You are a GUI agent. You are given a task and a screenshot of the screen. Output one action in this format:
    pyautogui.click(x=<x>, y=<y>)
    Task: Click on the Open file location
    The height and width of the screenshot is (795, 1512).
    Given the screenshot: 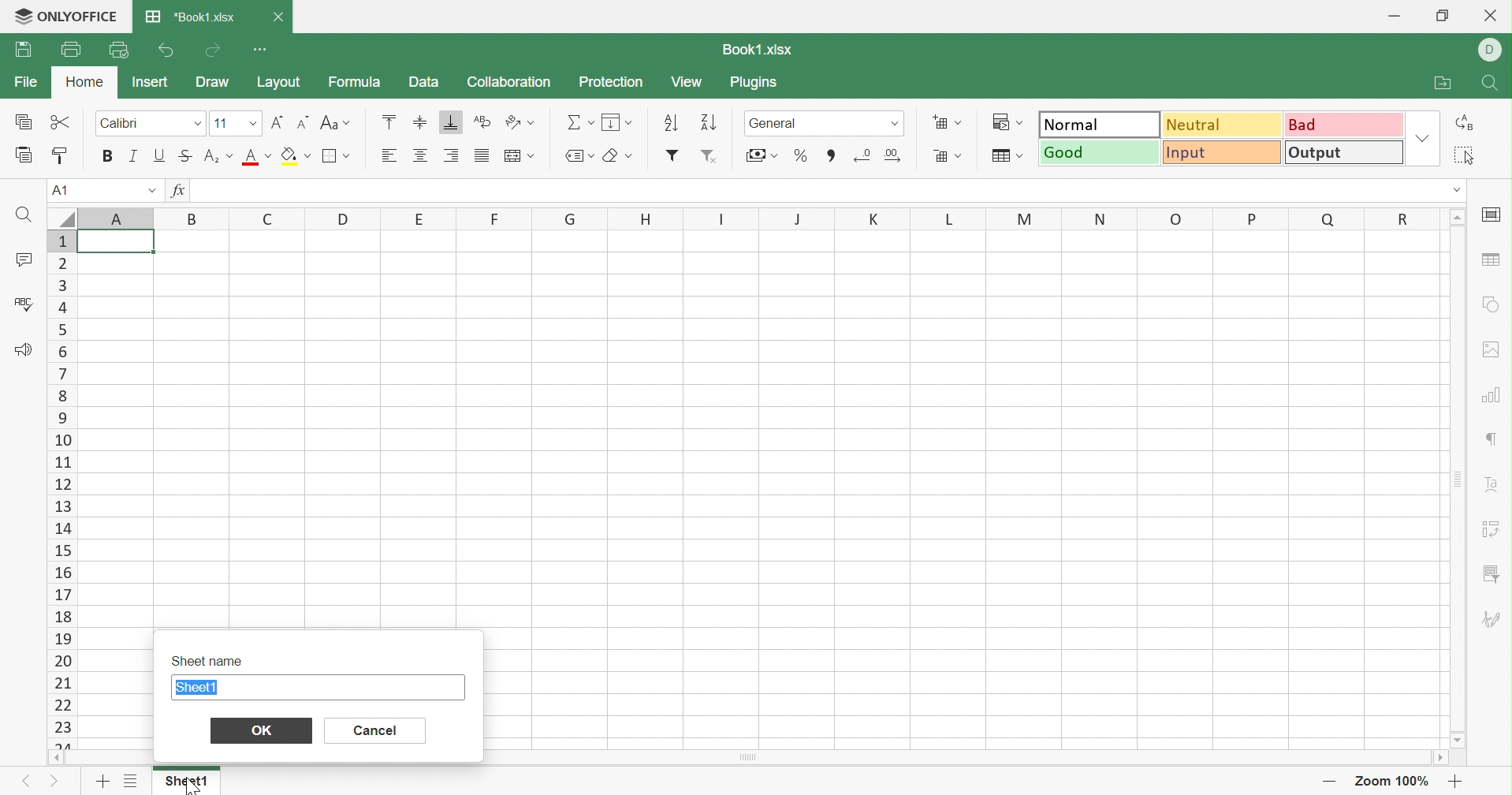 What is the action you would take?
    pyautogui.click(x=1444, y=81)
    